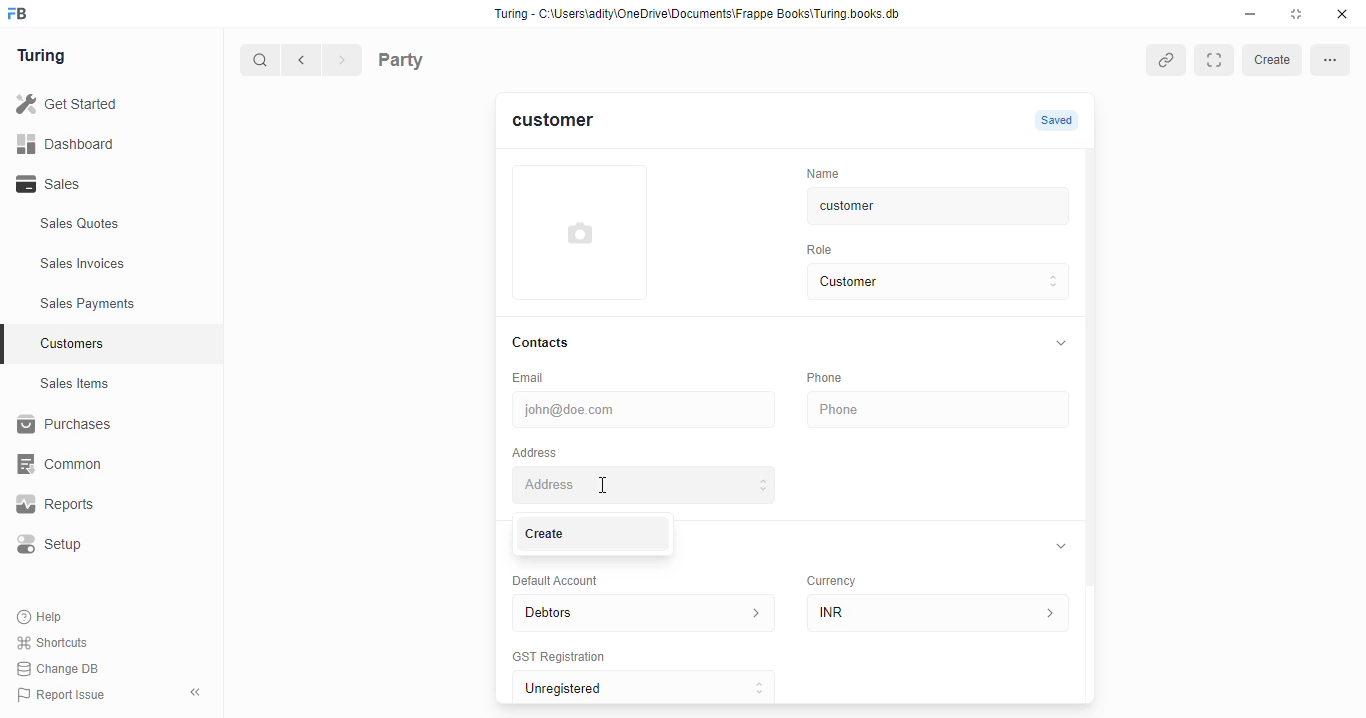  I want to click on Turing, so click(46, 57).